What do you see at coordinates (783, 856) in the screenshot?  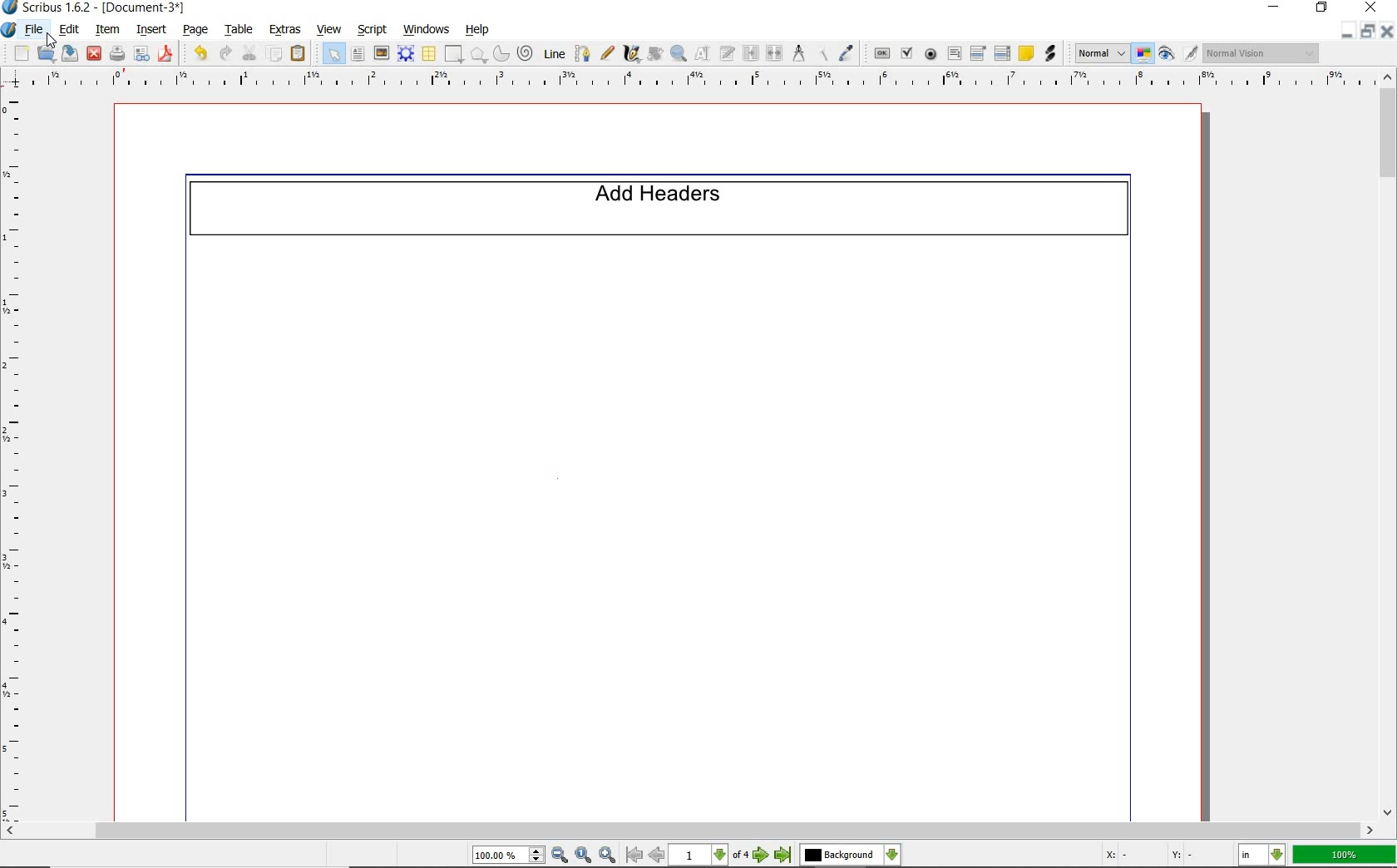 I see `go to last page` at bounding box center [783, 856].